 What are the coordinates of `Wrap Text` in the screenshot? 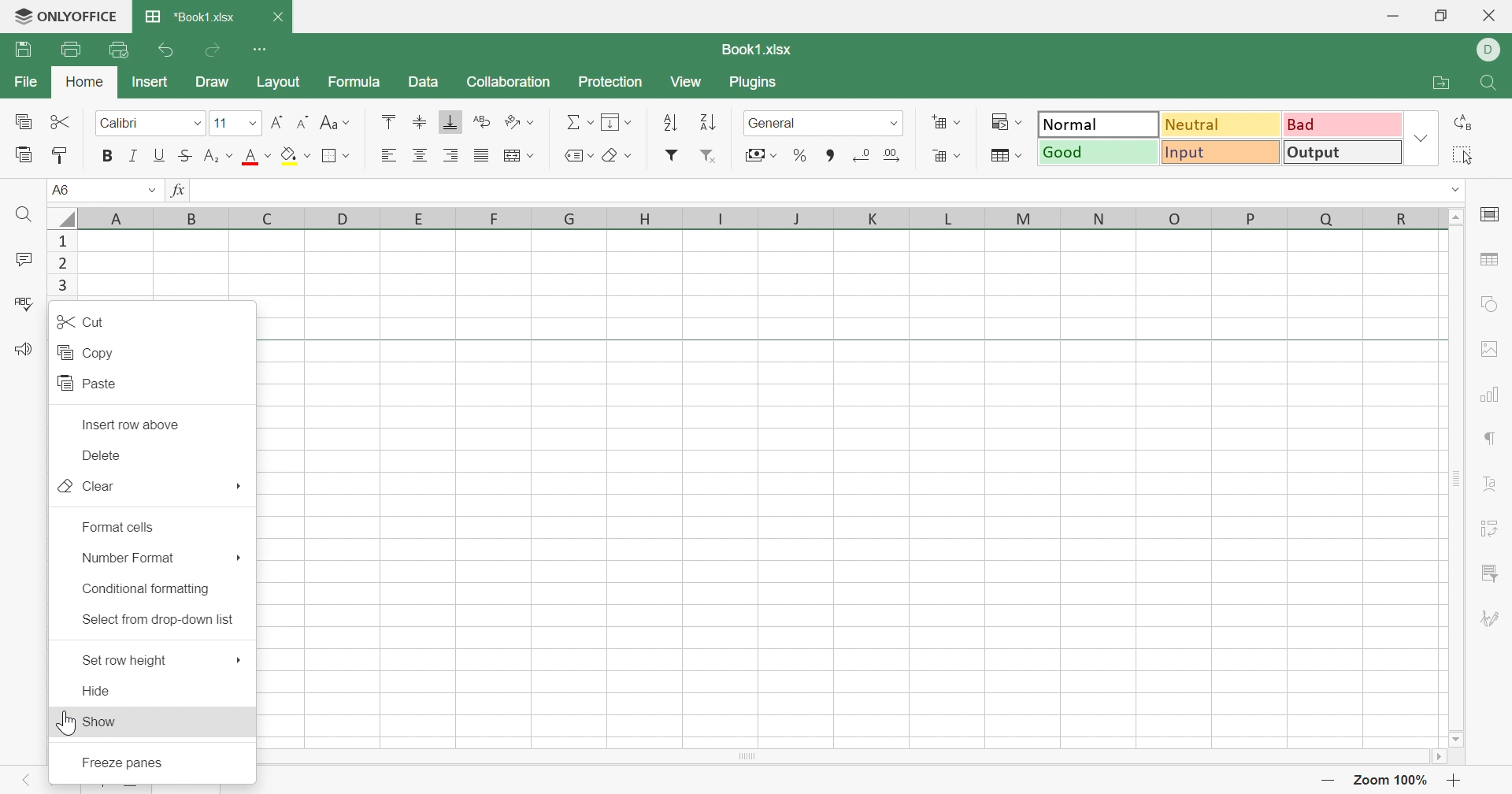 It's located at (484, 121).